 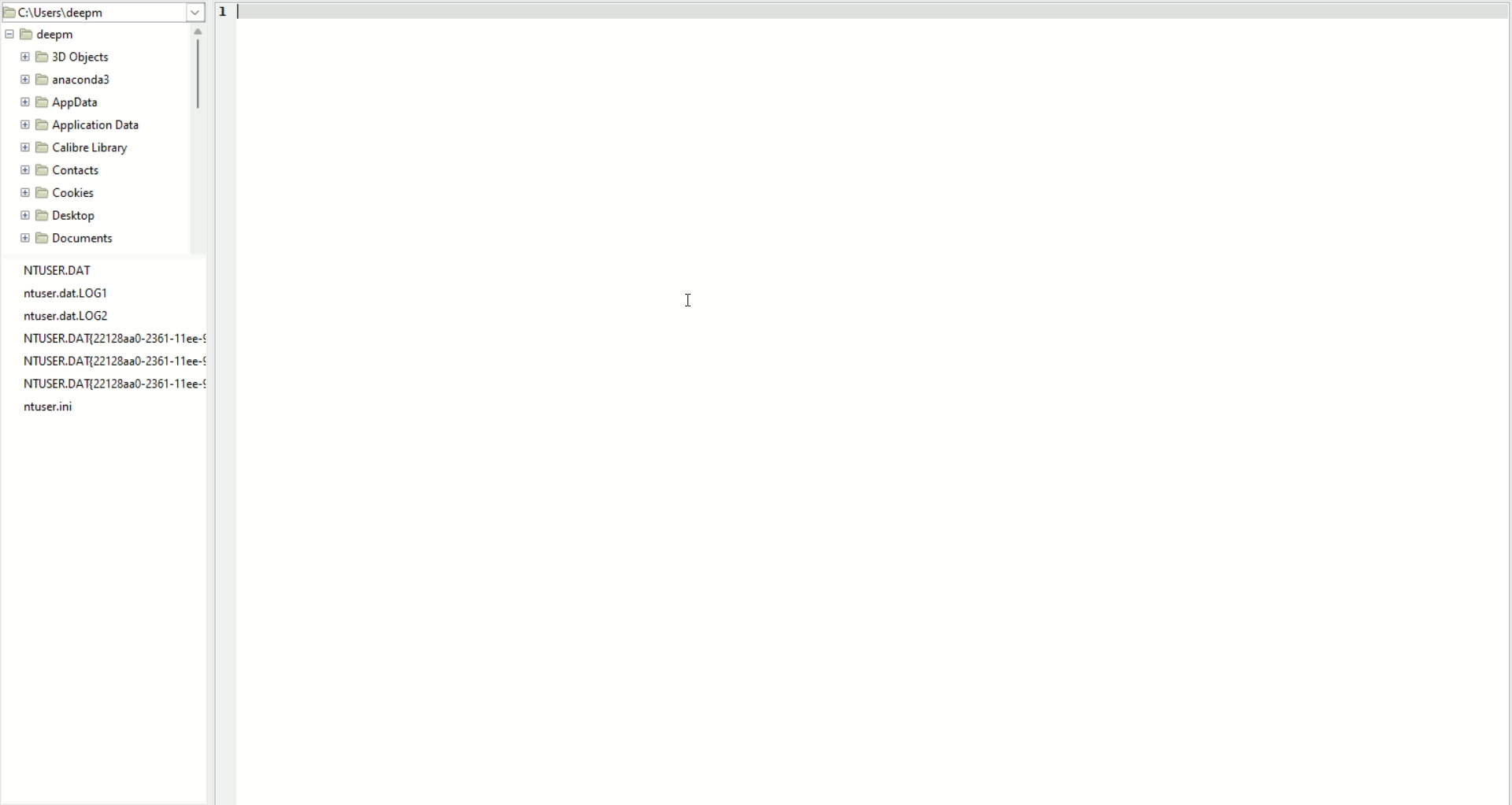 I want to click on location, so click(x=104, y=13).